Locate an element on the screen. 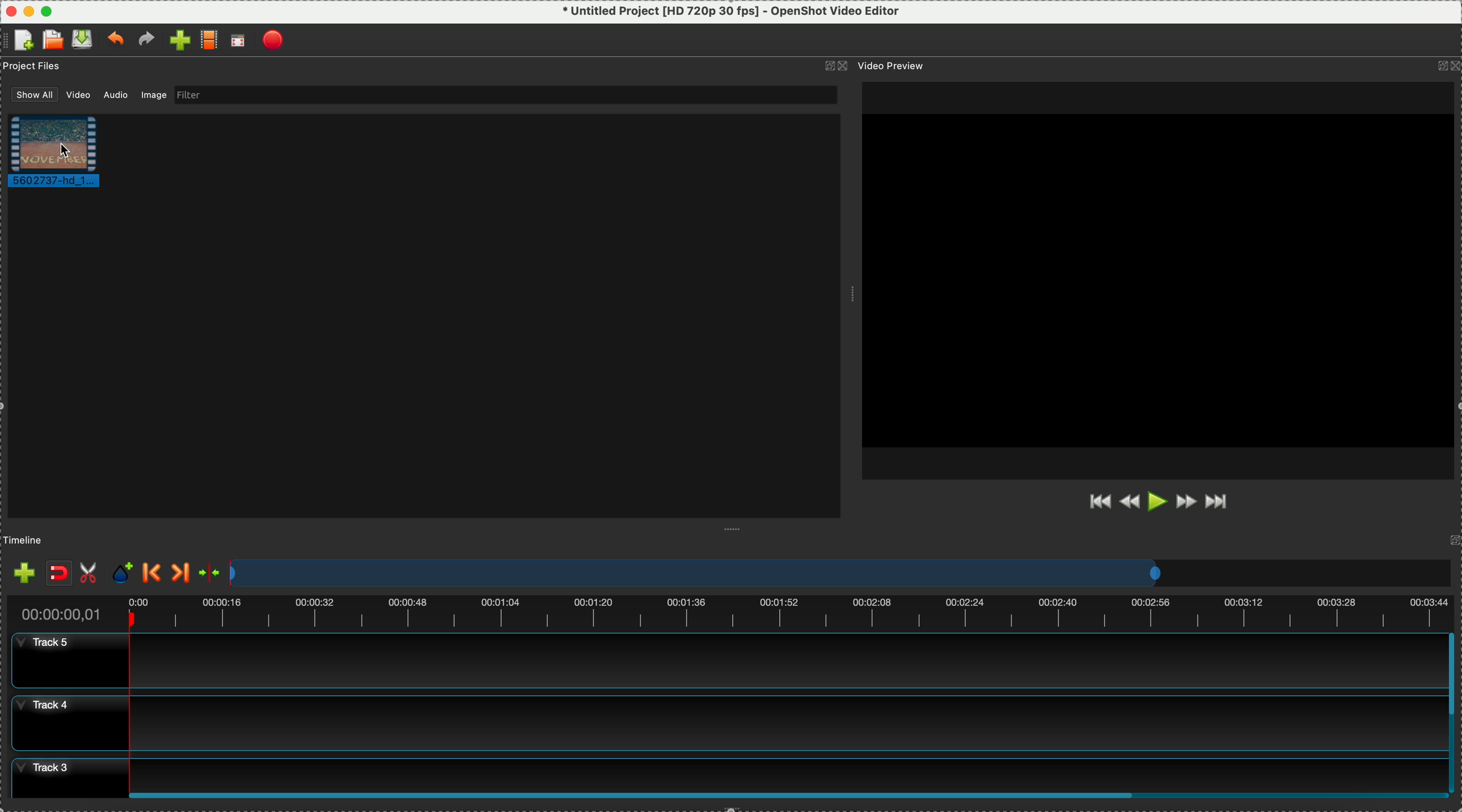 The height and width of the screenshot is (812, 1462). icons is located at coordinates (1447, 67).